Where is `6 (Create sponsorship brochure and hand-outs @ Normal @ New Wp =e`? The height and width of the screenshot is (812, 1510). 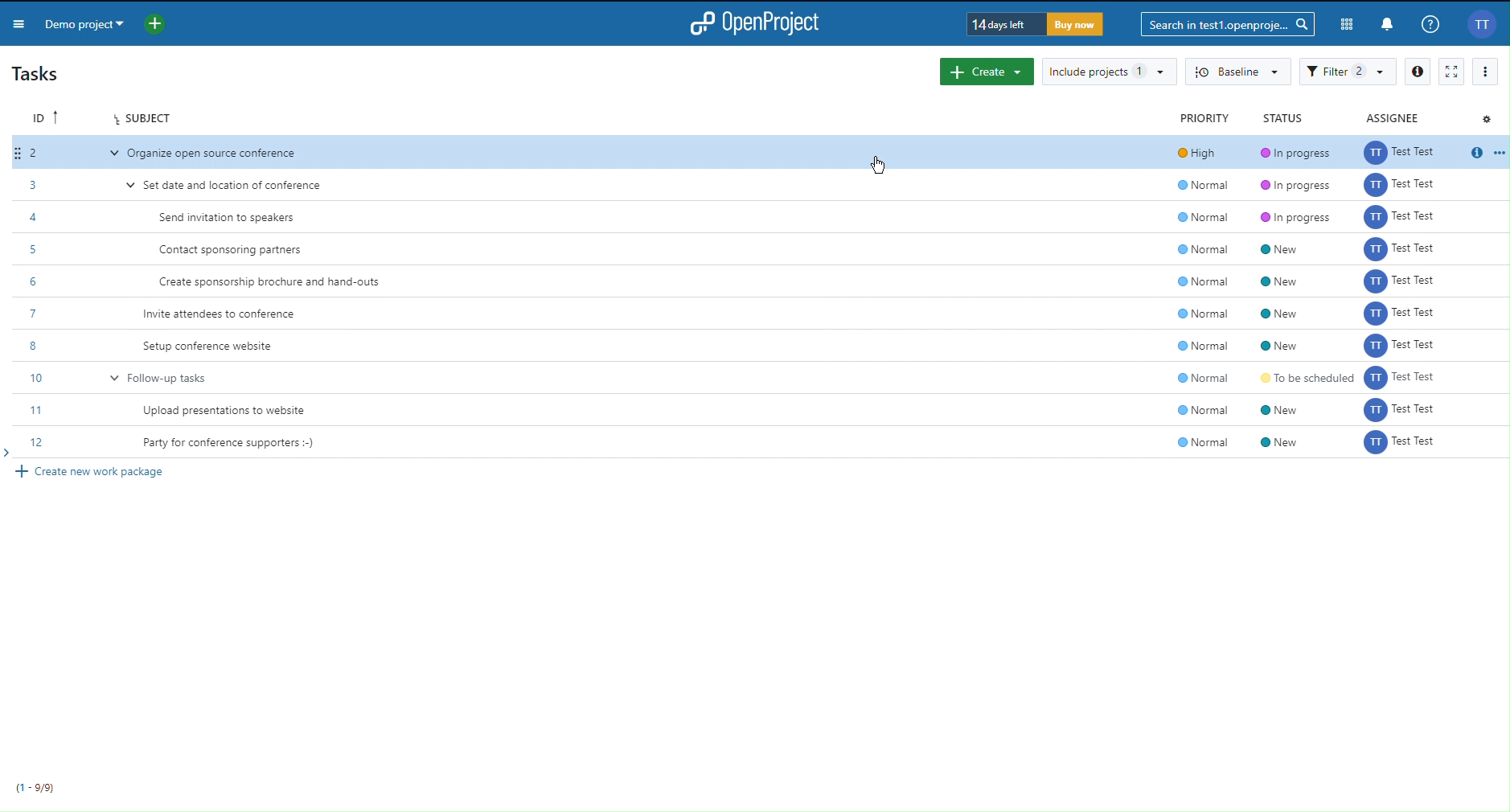
6 (Create sponsorship brochure and hand-outs @ Normal @ New Wp =e is located at coordinates (766, 282).